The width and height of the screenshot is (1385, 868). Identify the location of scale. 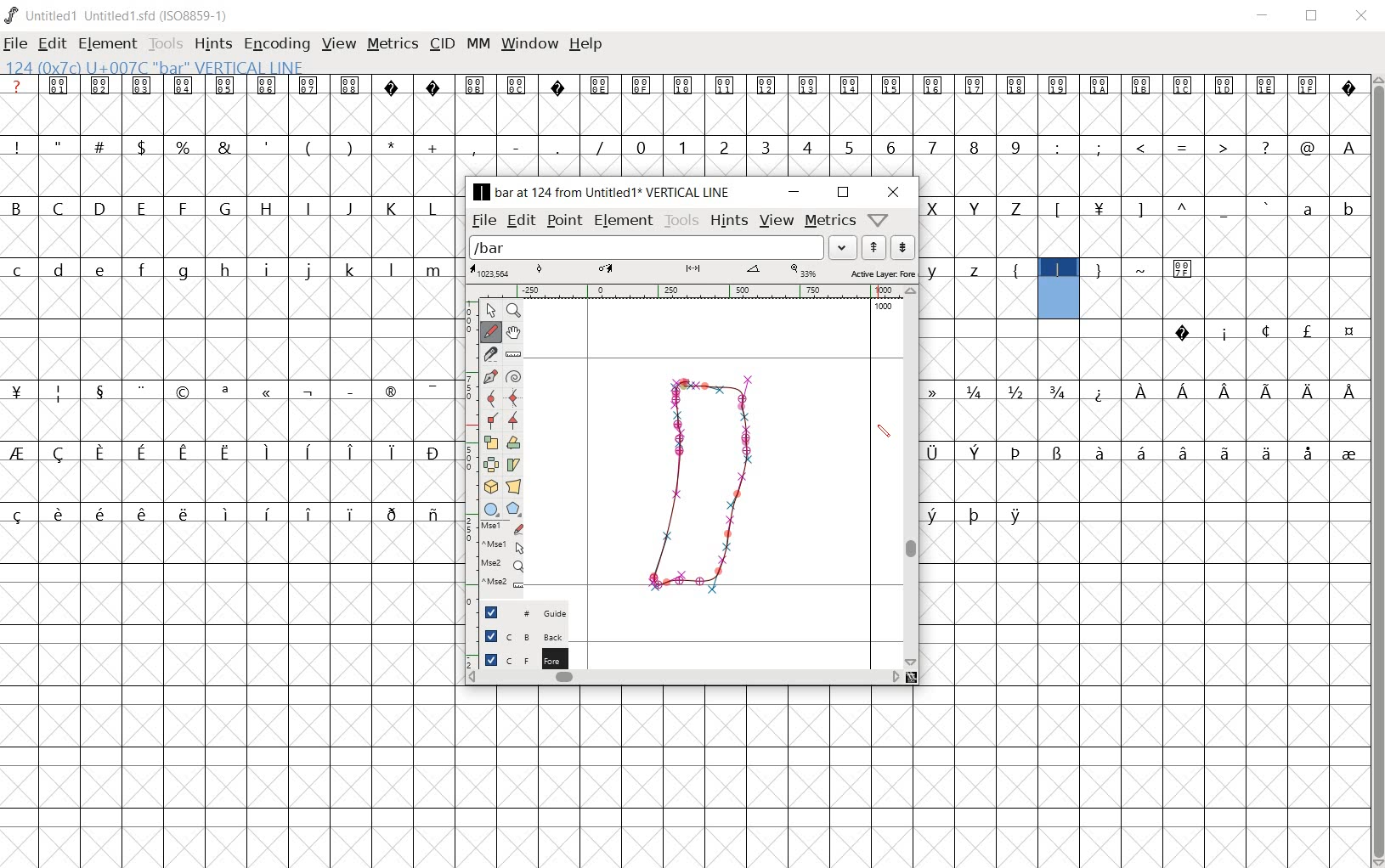
(692, 270).